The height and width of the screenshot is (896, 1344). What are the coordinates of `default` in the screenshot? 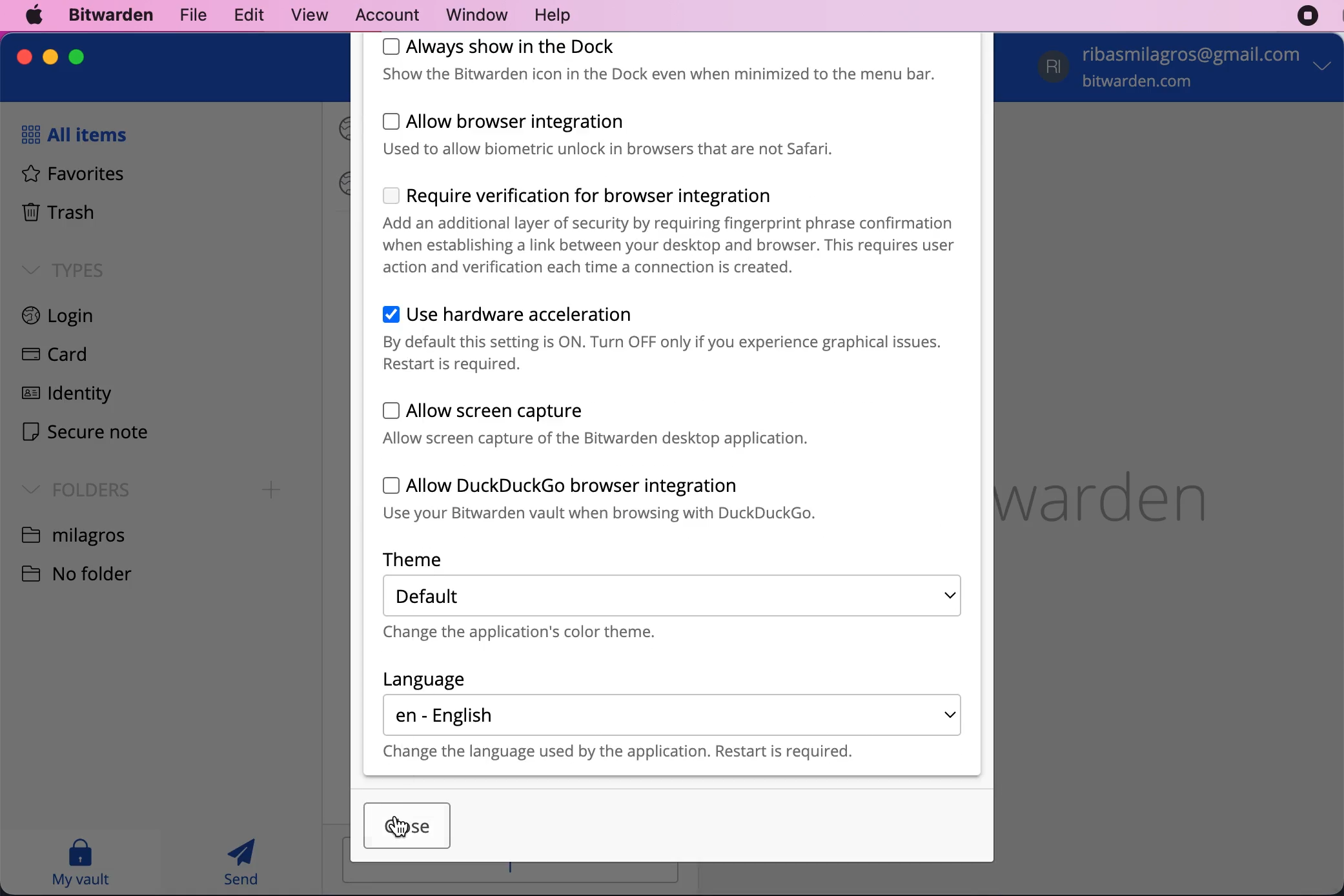 It's located at (673, 595).